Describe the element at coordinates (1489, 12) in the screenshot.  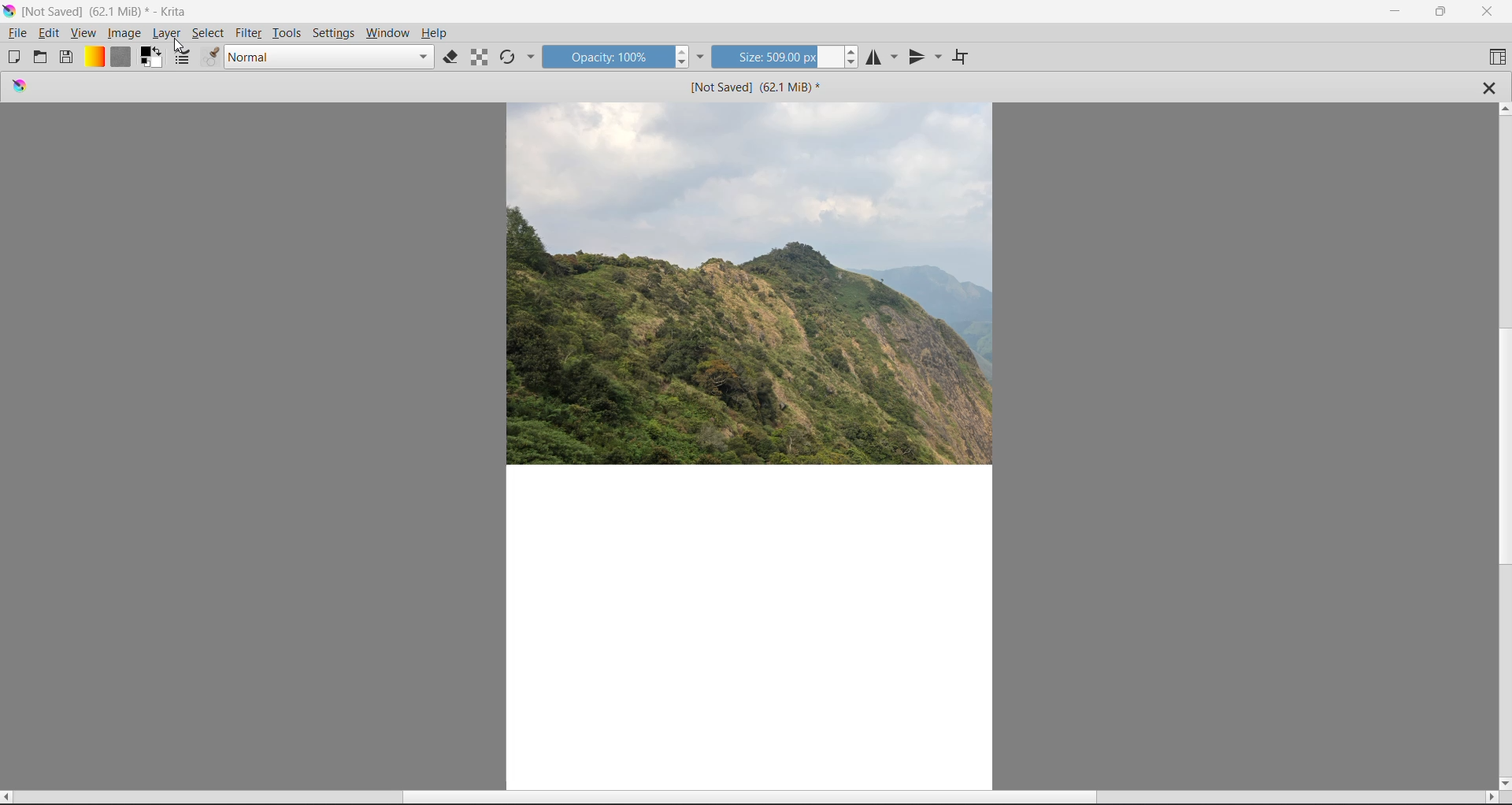
I see `Close` at that location.